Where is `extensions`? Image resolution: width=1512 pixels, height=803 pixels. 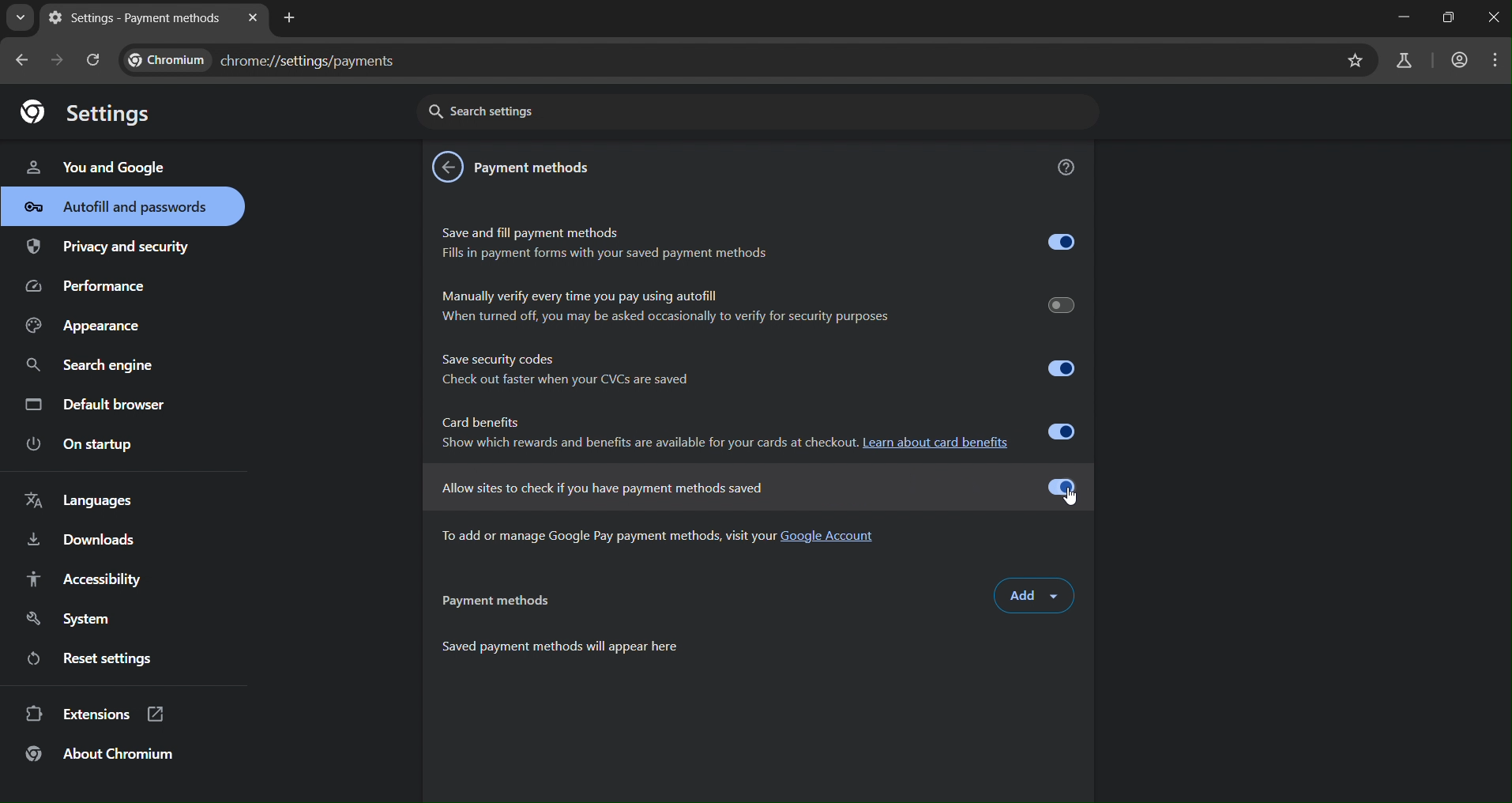
extensions is located at coordinates (96, 714).